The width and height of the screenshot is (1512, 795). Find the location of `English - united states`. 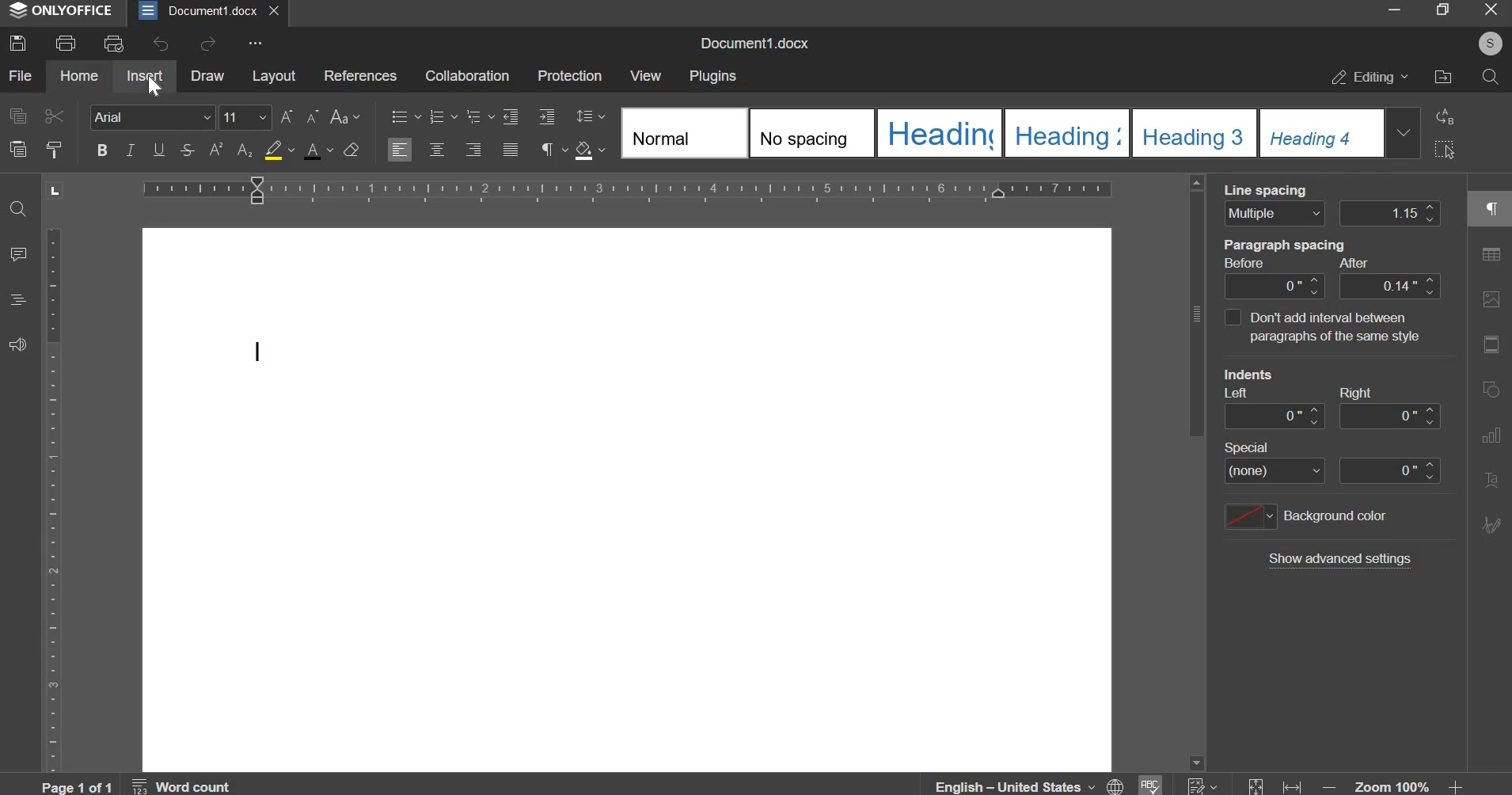

English - united states is located at coordinates (1029, 786).